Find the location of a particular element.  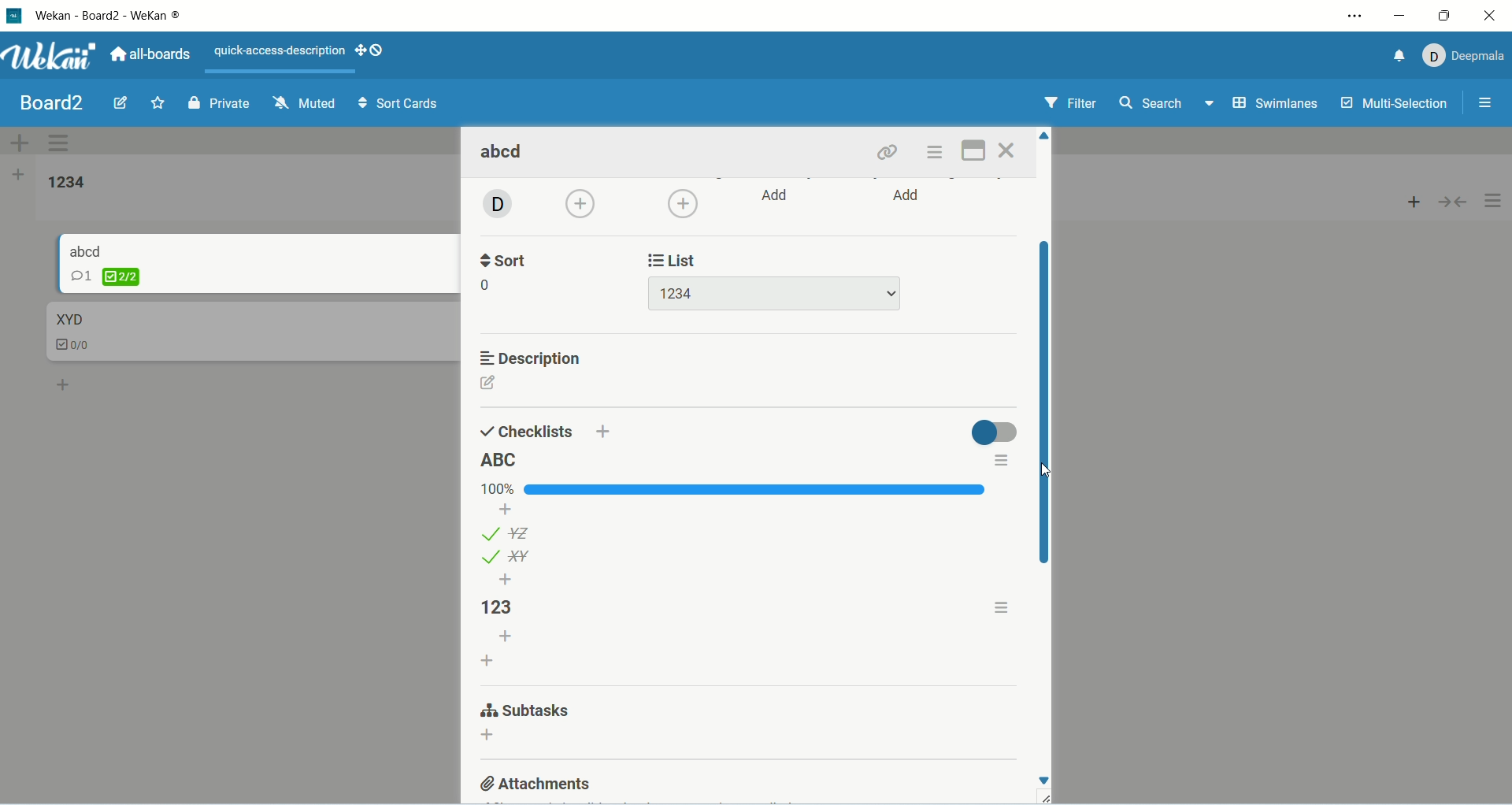

logo is located at coordinates (13, 17).